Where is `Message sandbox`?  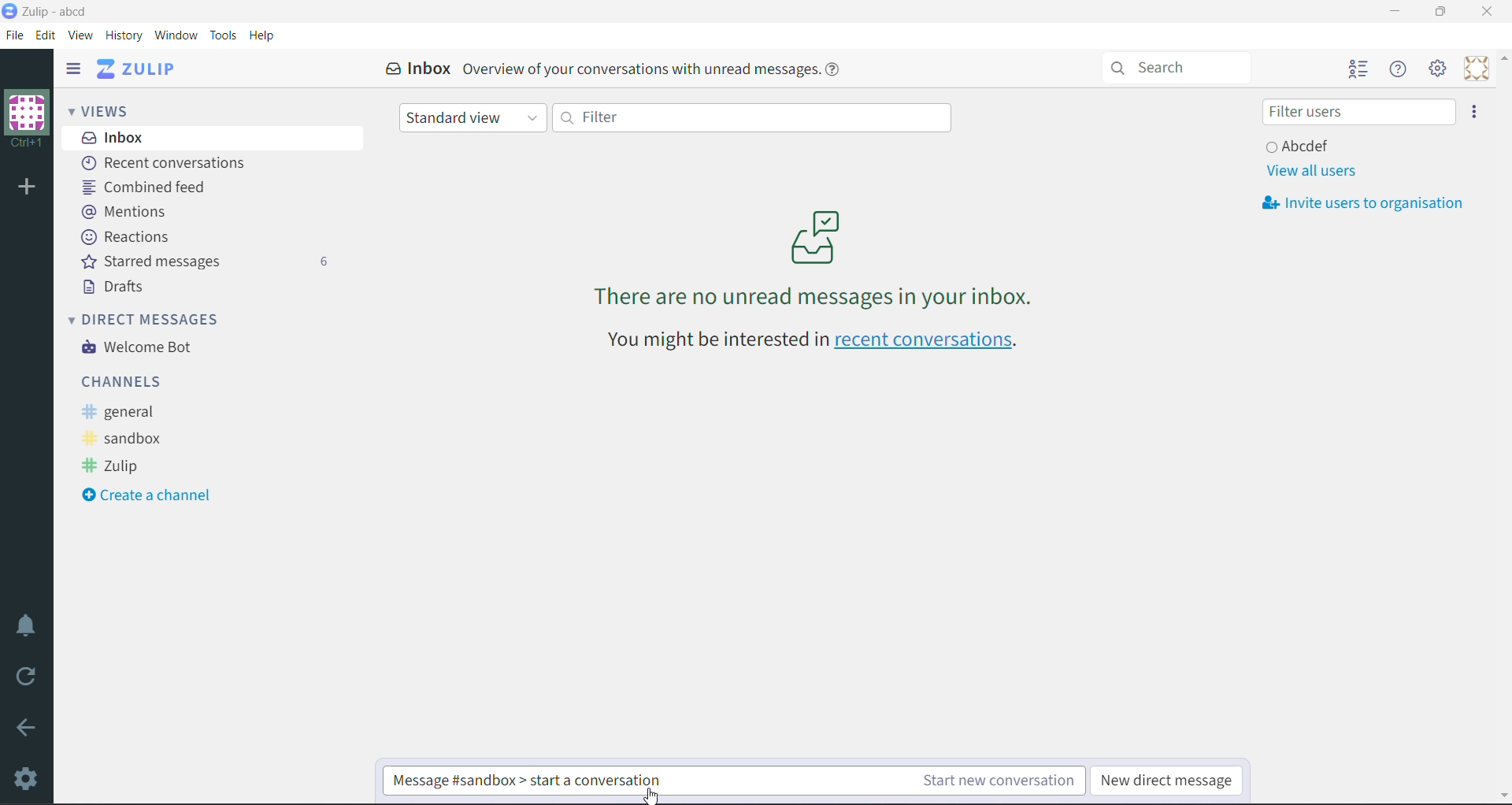 Message sandbox is located at coordinates (544, 781).